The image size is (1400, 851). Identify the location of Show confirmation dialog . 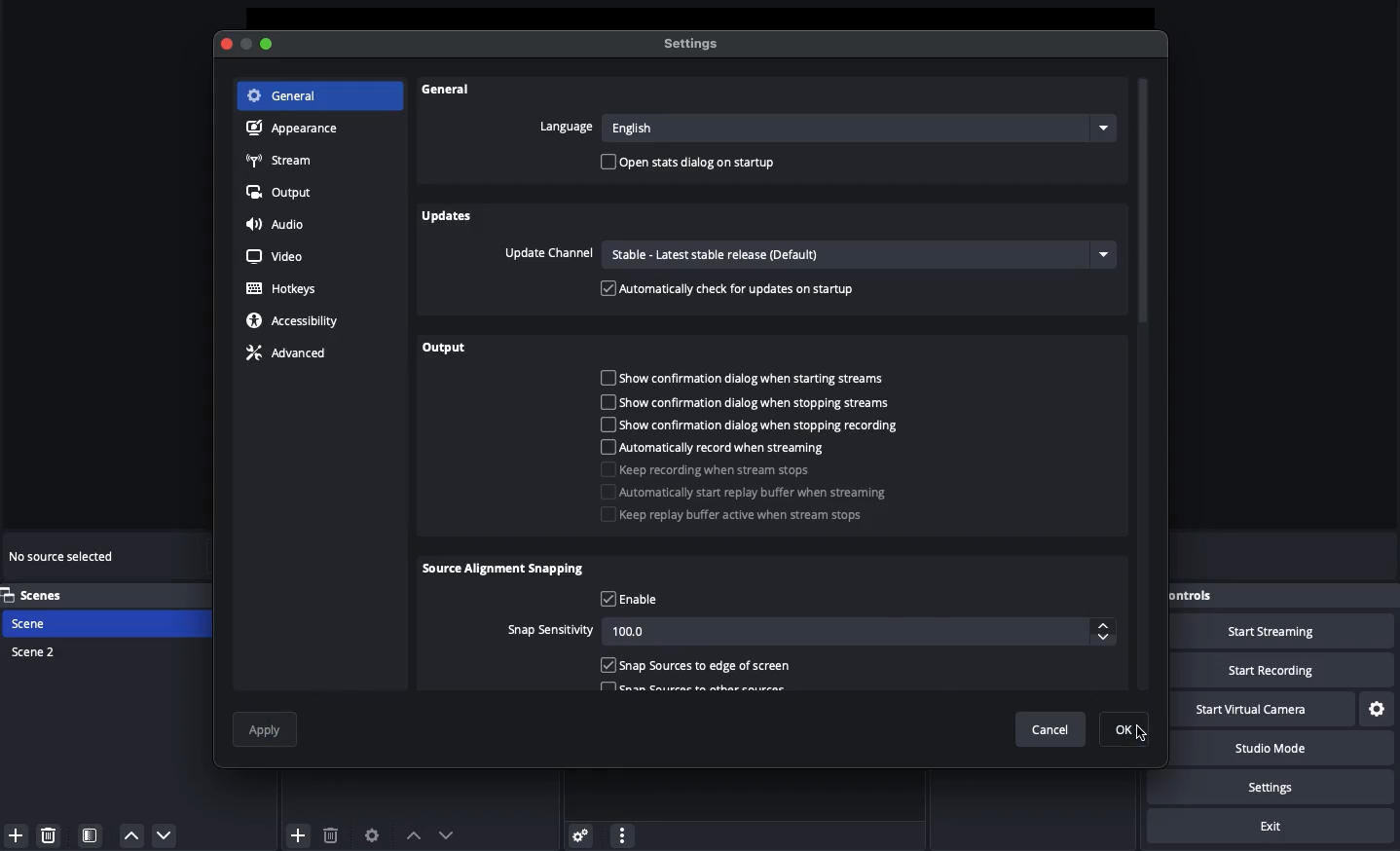
(751, 401).